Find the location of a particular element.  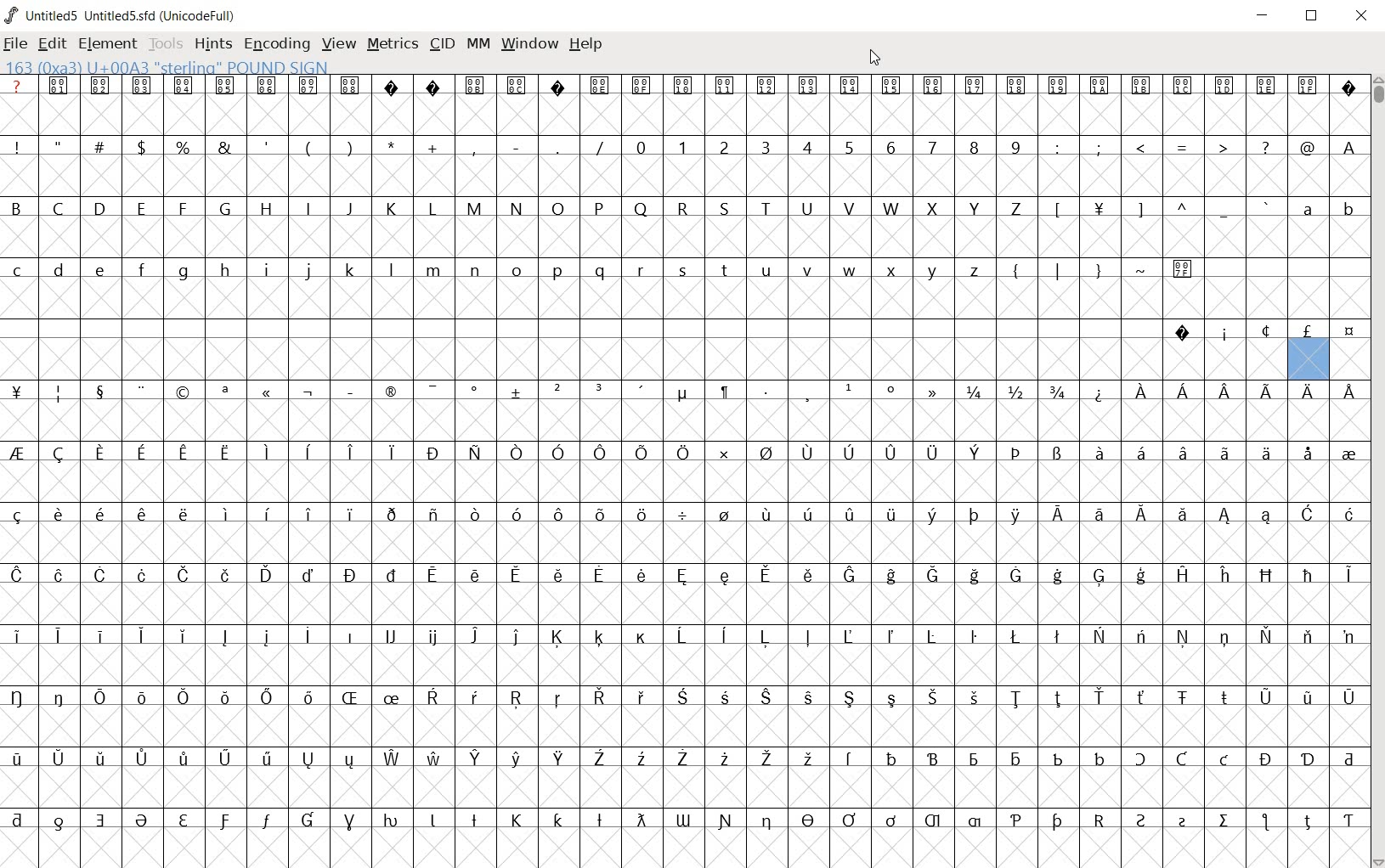

Symbol is located at coordinates (1060, 86).